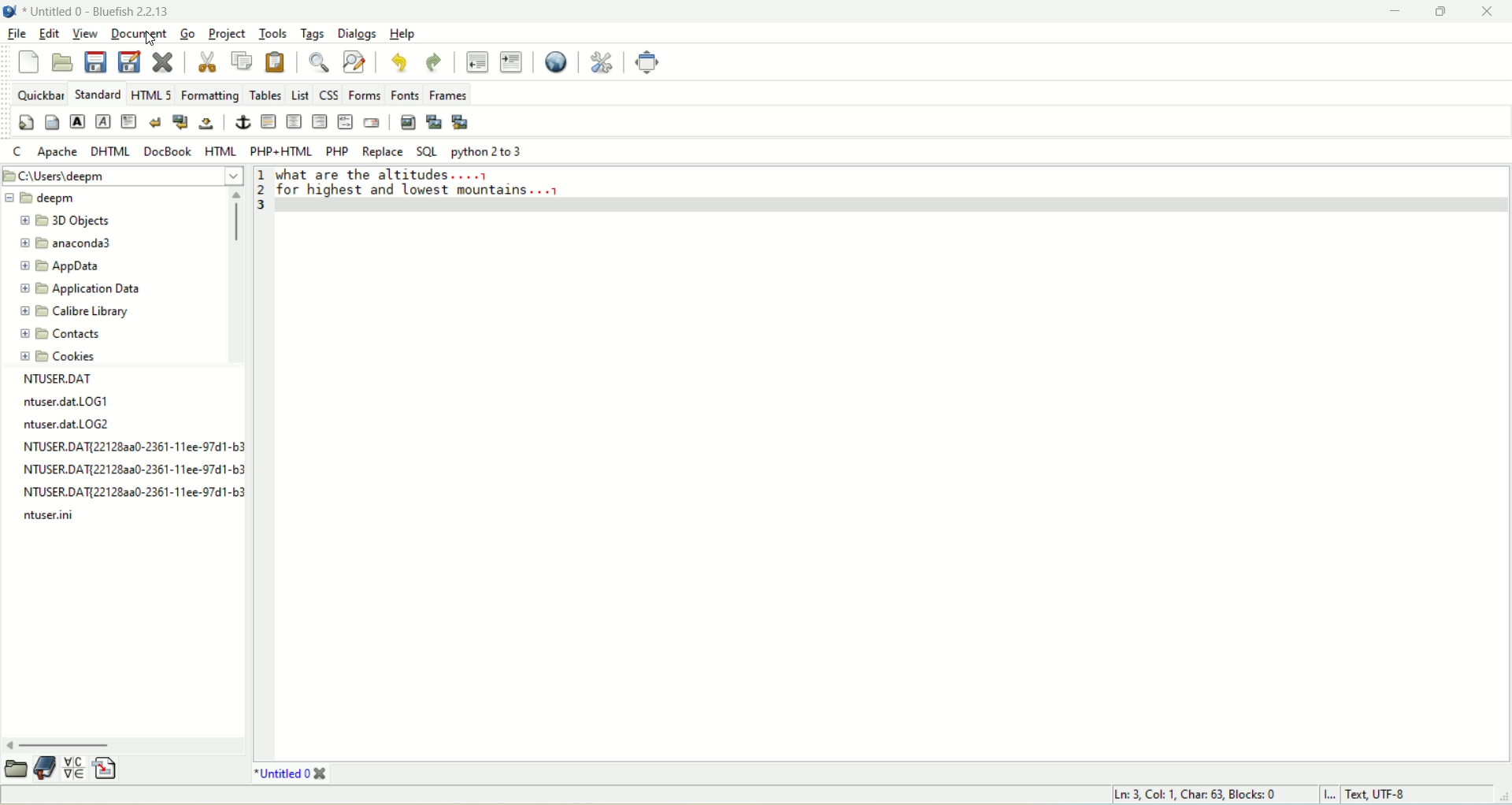 This screenshot has width=1512, height=805. Describe the element at coordinates (407, 122) in the screenshot. I see `insert image` at that location.